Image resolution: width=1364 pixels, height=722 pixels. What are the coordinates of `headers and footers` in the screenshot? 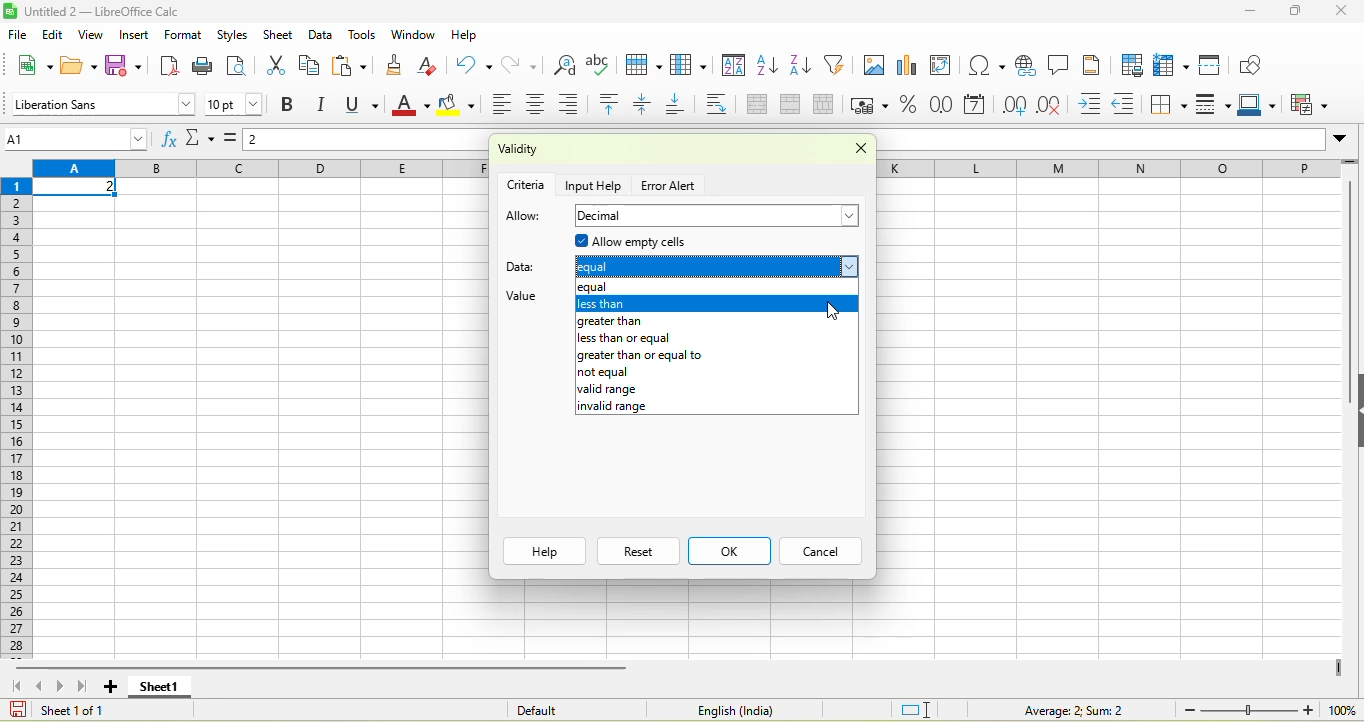 It's located at (1093, 64).